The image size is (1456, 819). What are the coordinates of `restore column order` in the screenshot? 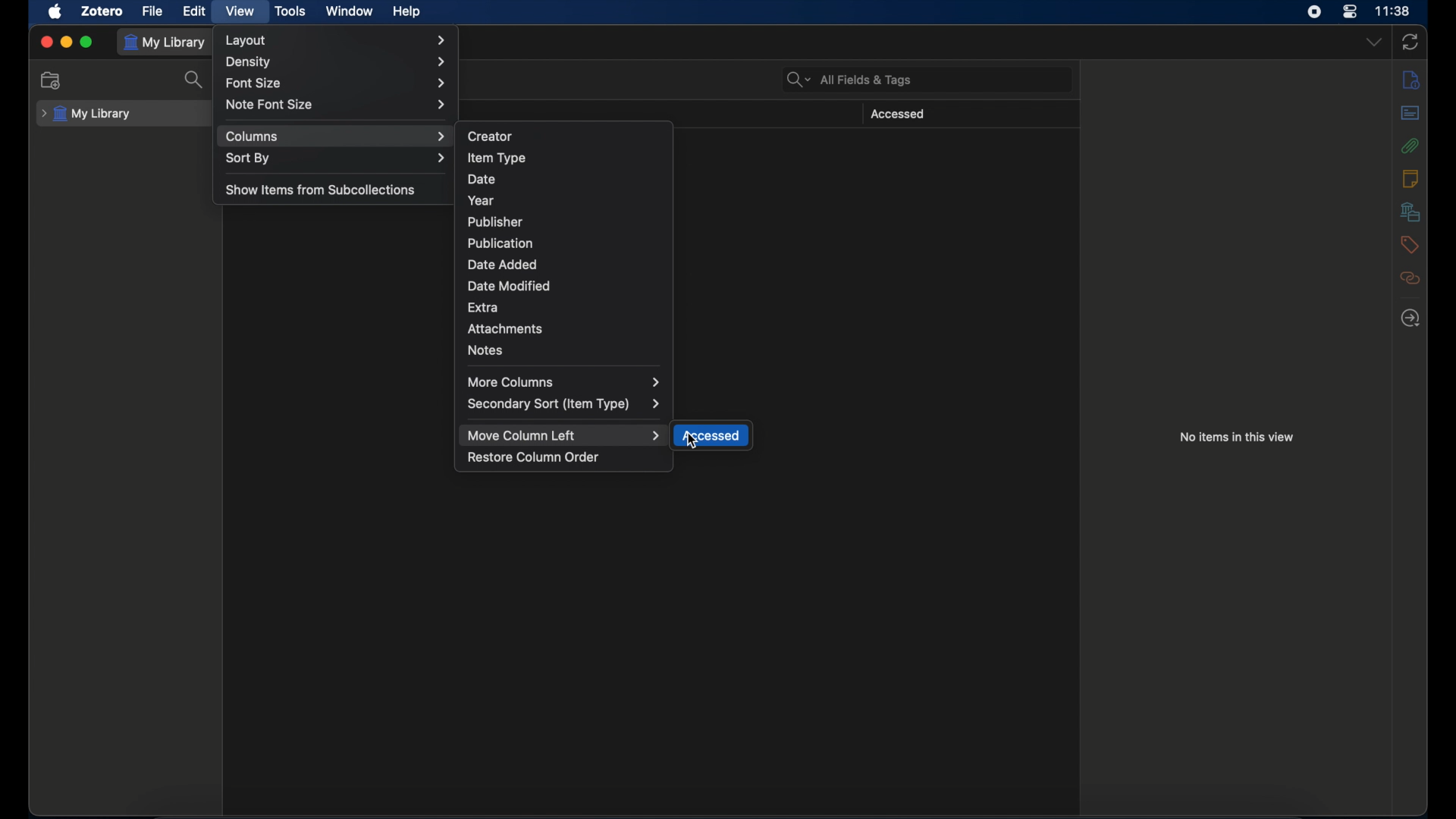 It's located at (533, 457).